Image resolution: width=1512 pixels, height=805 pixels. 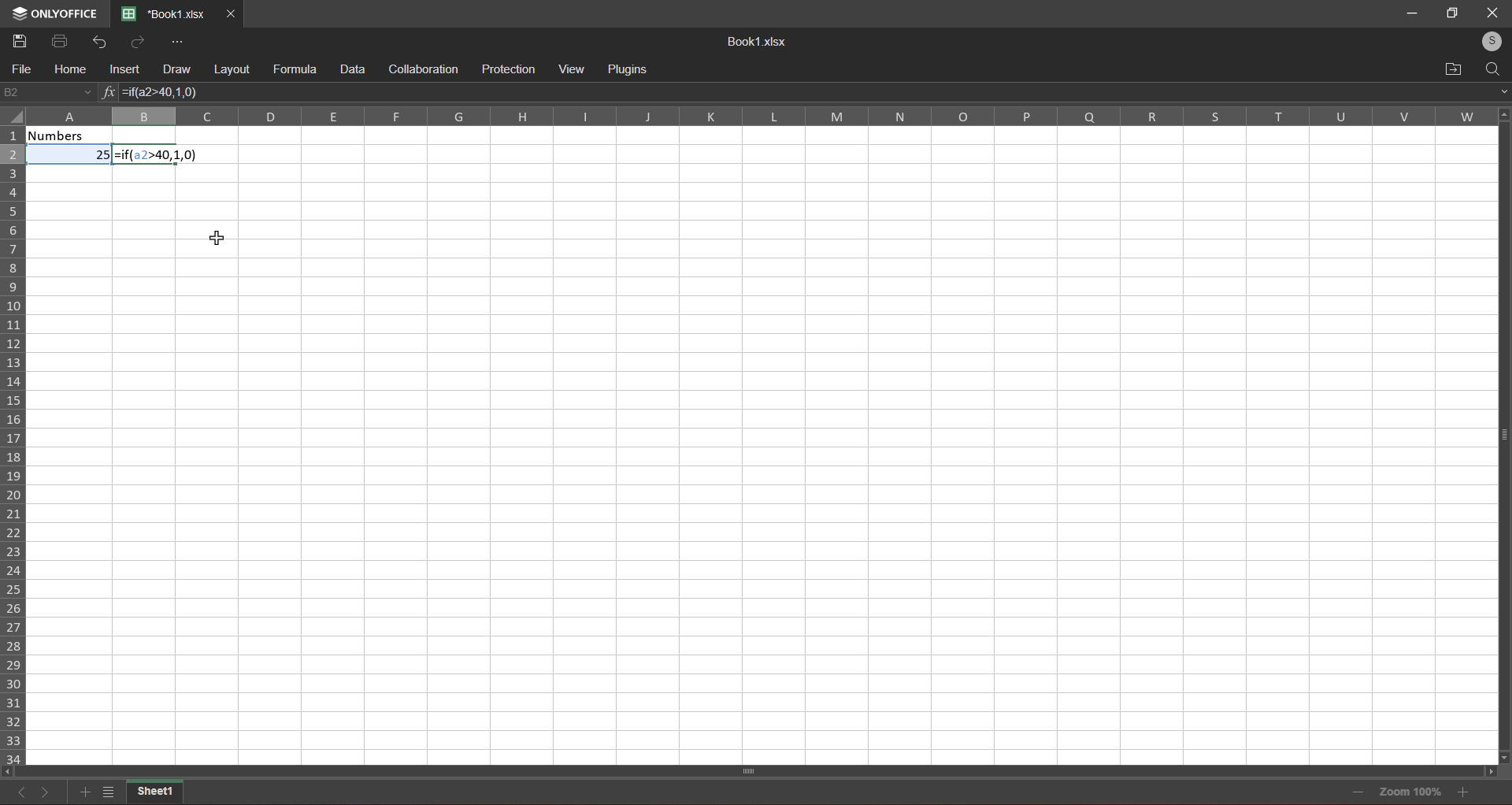 I want to click on scroll down, so click(x=1506, y=756).